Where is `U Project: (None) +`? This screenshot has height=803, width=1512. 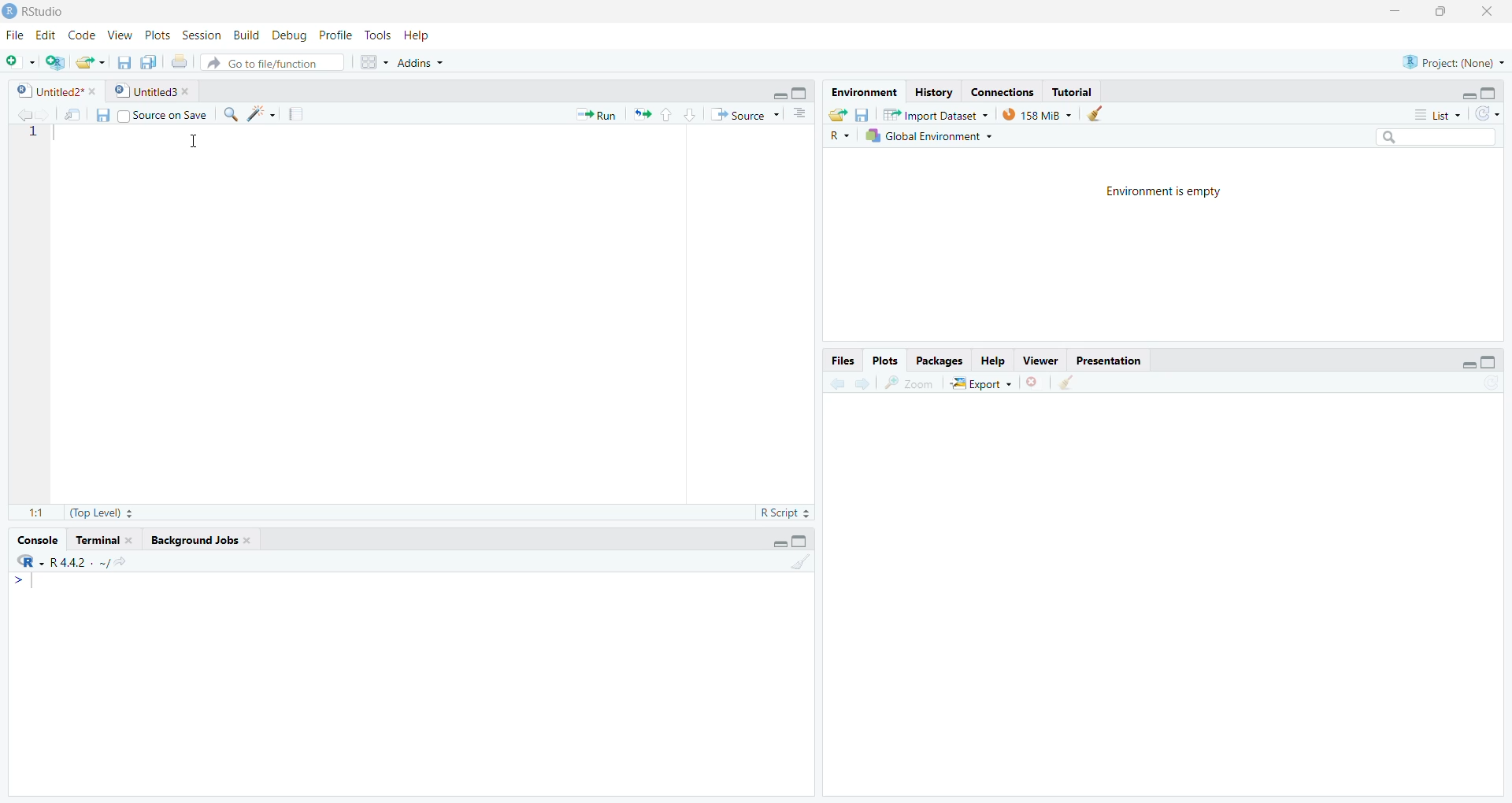 U Project: (None) + is located at coordinates (1445, 62).